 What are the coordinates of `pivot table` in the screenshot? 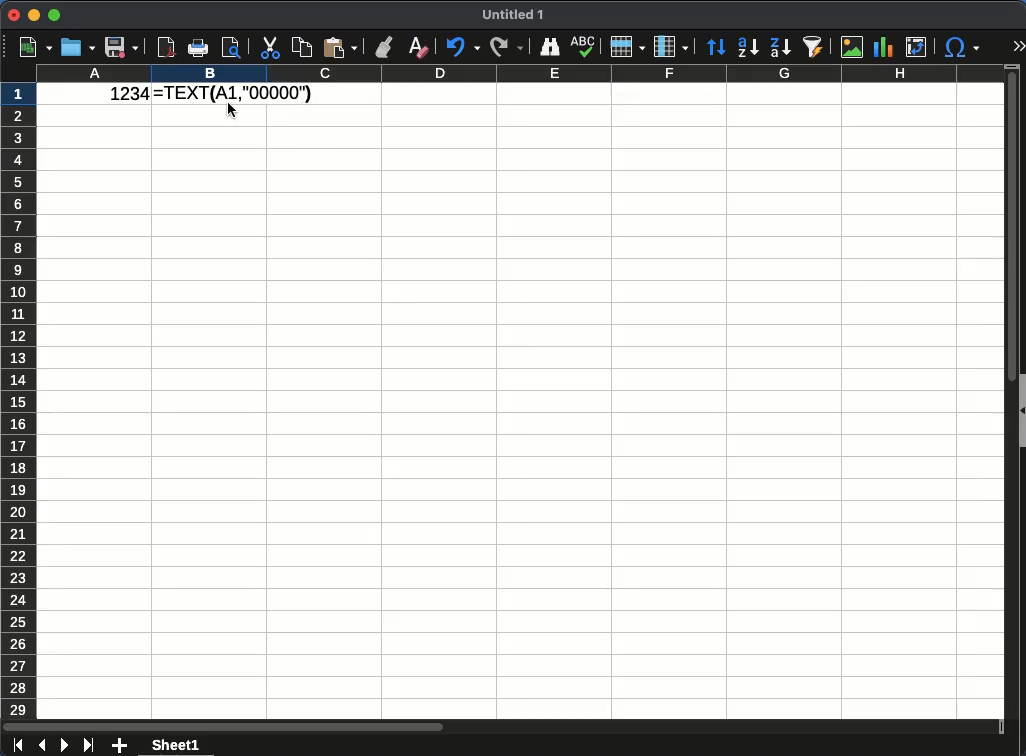 It's located at (918, 47).